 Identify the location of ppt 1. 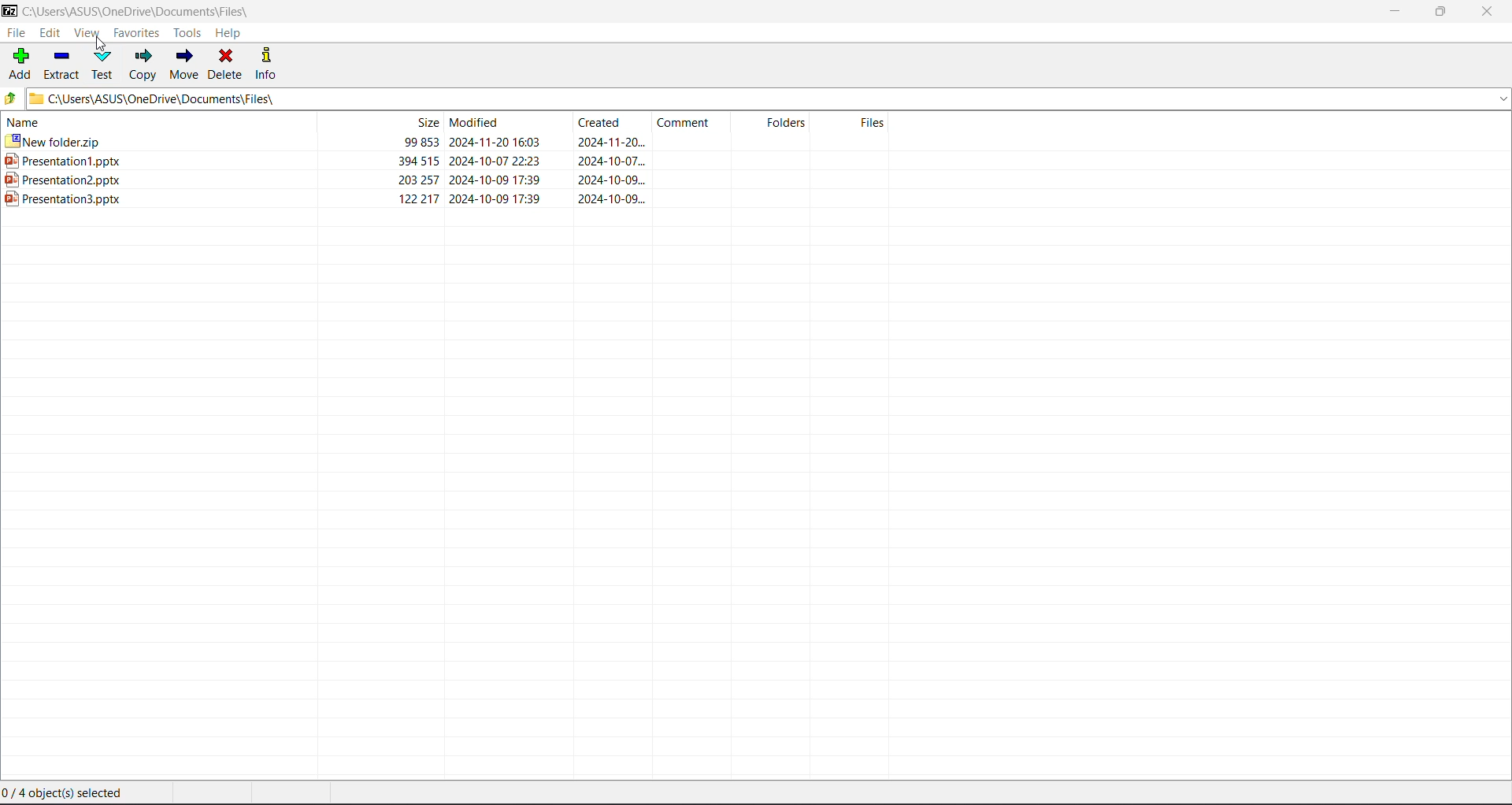
(447, 159).